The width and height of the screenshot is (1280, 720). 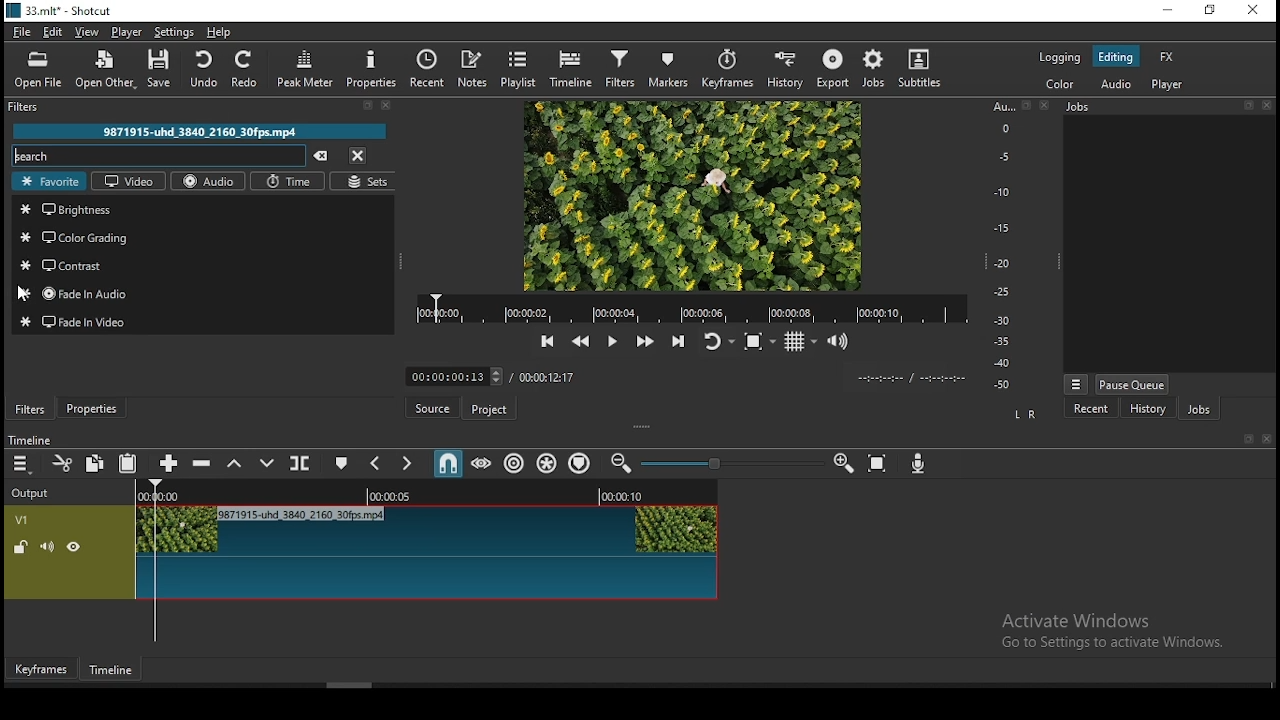 I want to click on audio, so click(x=1118, y=84).